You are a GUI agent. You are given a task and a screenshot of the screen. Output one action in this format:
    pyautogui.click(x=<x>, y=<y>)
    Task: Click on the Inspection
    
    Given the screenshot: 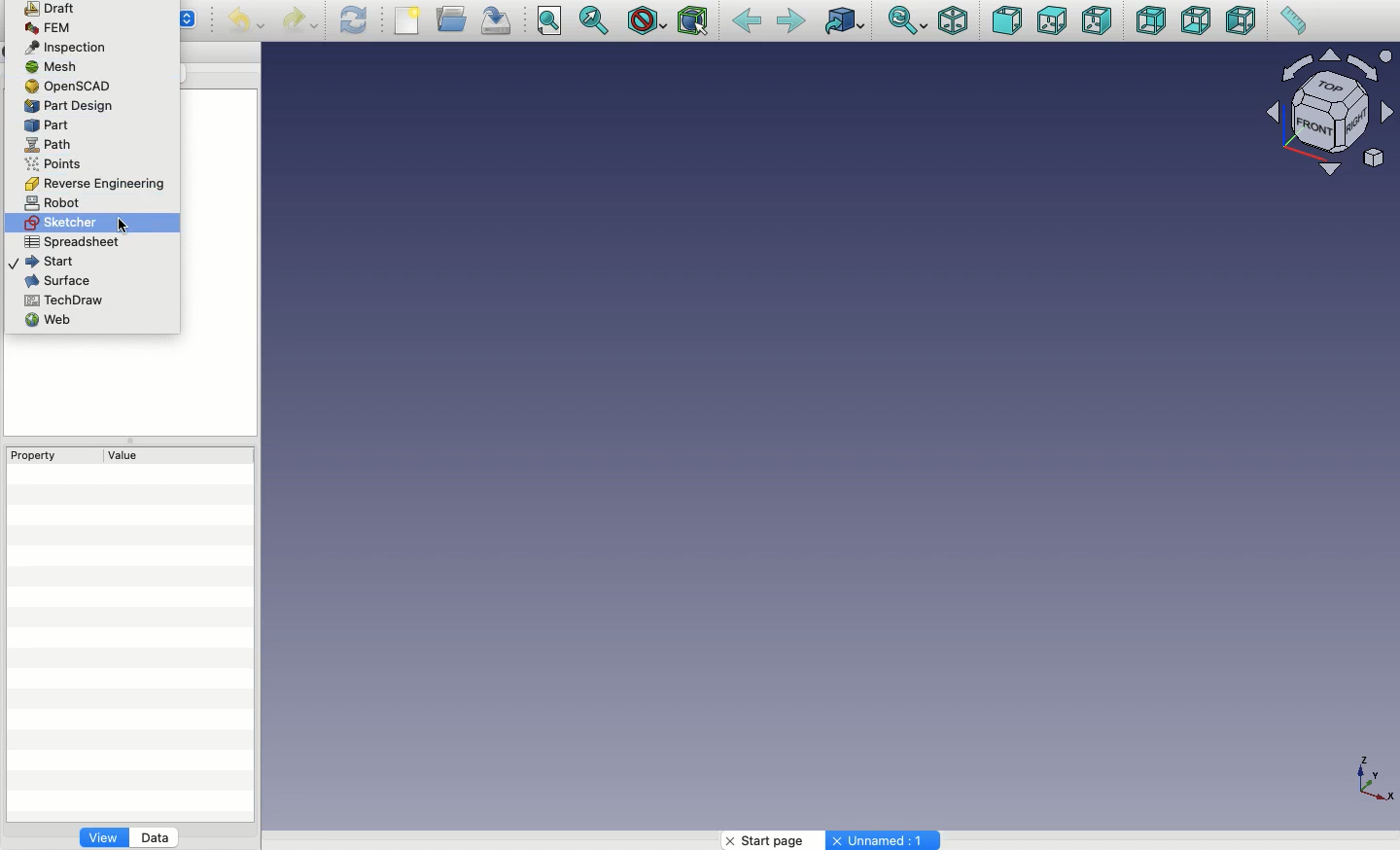 What is the action you would take?
    pyautogui.click(x=69, y=48)
    